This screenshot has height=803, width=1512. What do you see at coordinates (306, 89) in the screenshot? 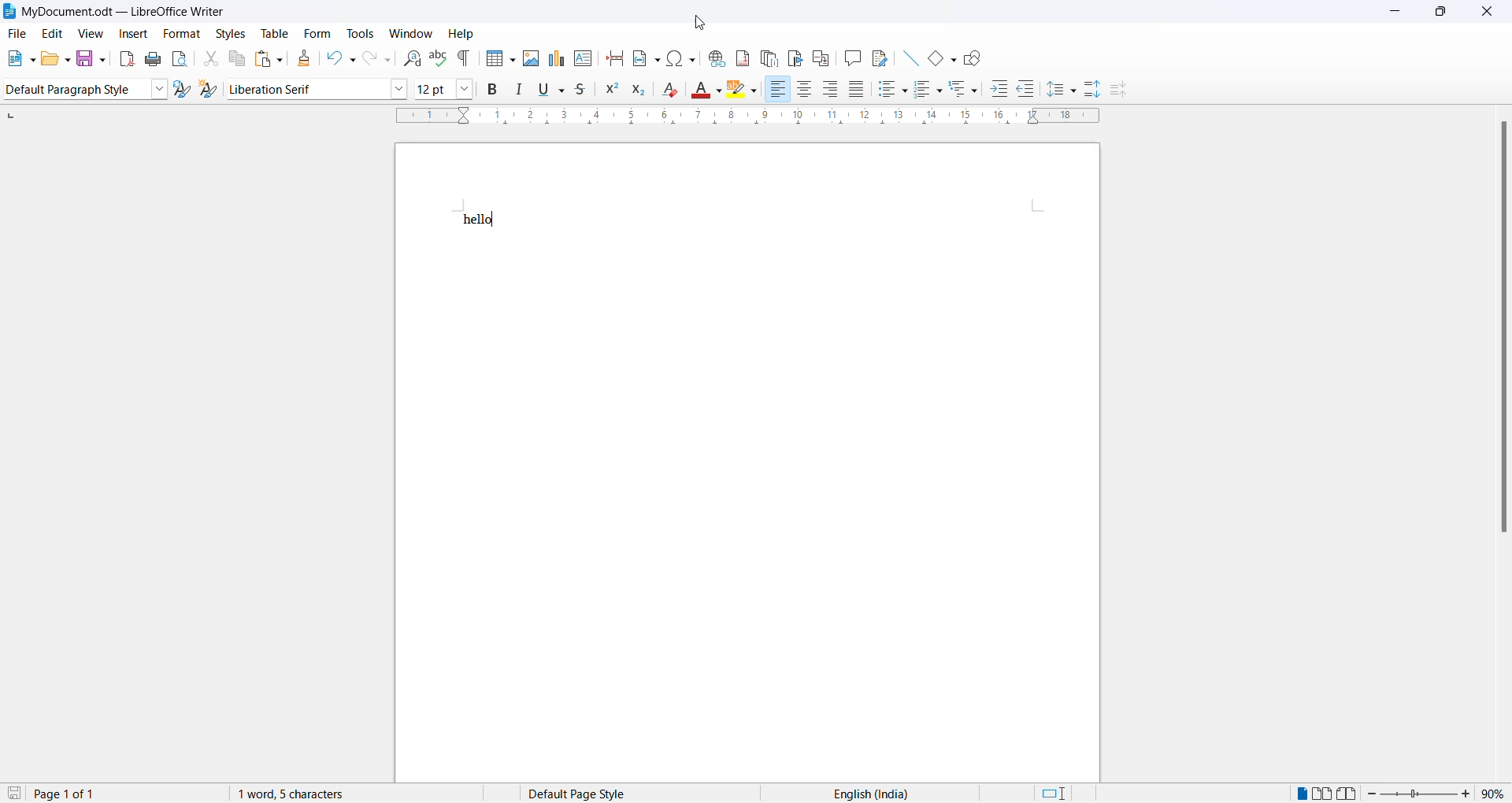
I see `Selected font` at bounding box center [306, 89].